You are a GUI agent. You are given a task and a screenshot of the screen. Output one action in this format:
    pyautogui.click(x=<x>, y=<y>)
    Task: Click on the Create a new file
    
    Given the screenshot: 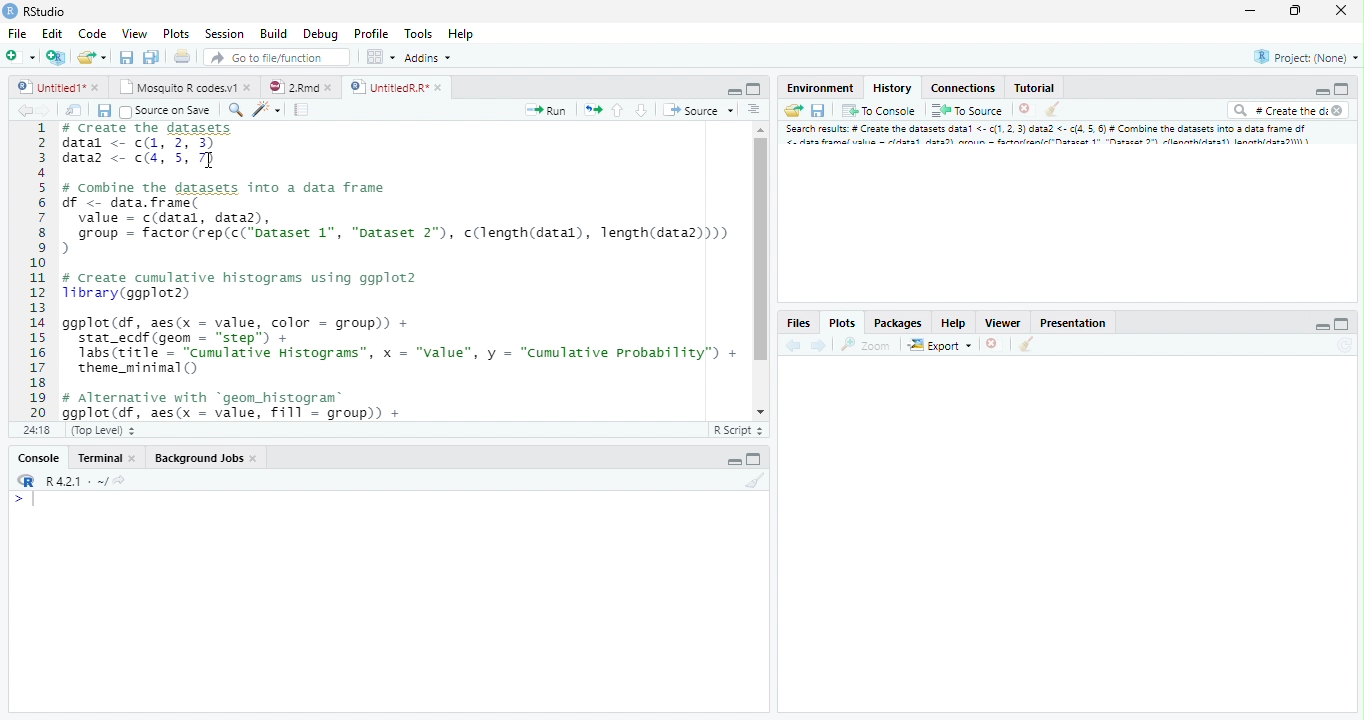 What is the action you would take?
    pyautogui.click(x=94, y=57)
    